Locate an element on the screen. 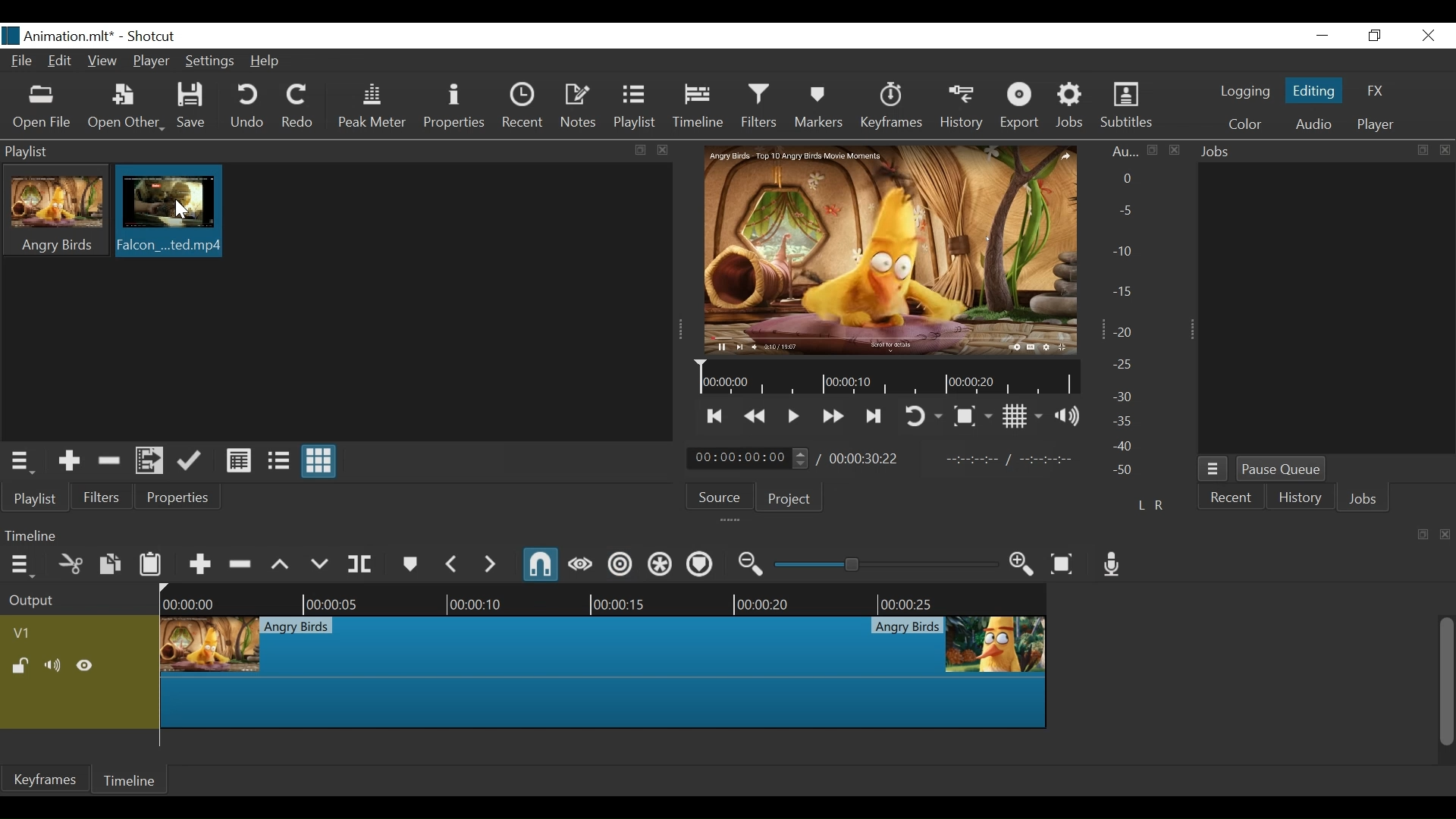 The width and height of the screenshot is (1456, 819). Timeline is located at coordinates (885, 378).